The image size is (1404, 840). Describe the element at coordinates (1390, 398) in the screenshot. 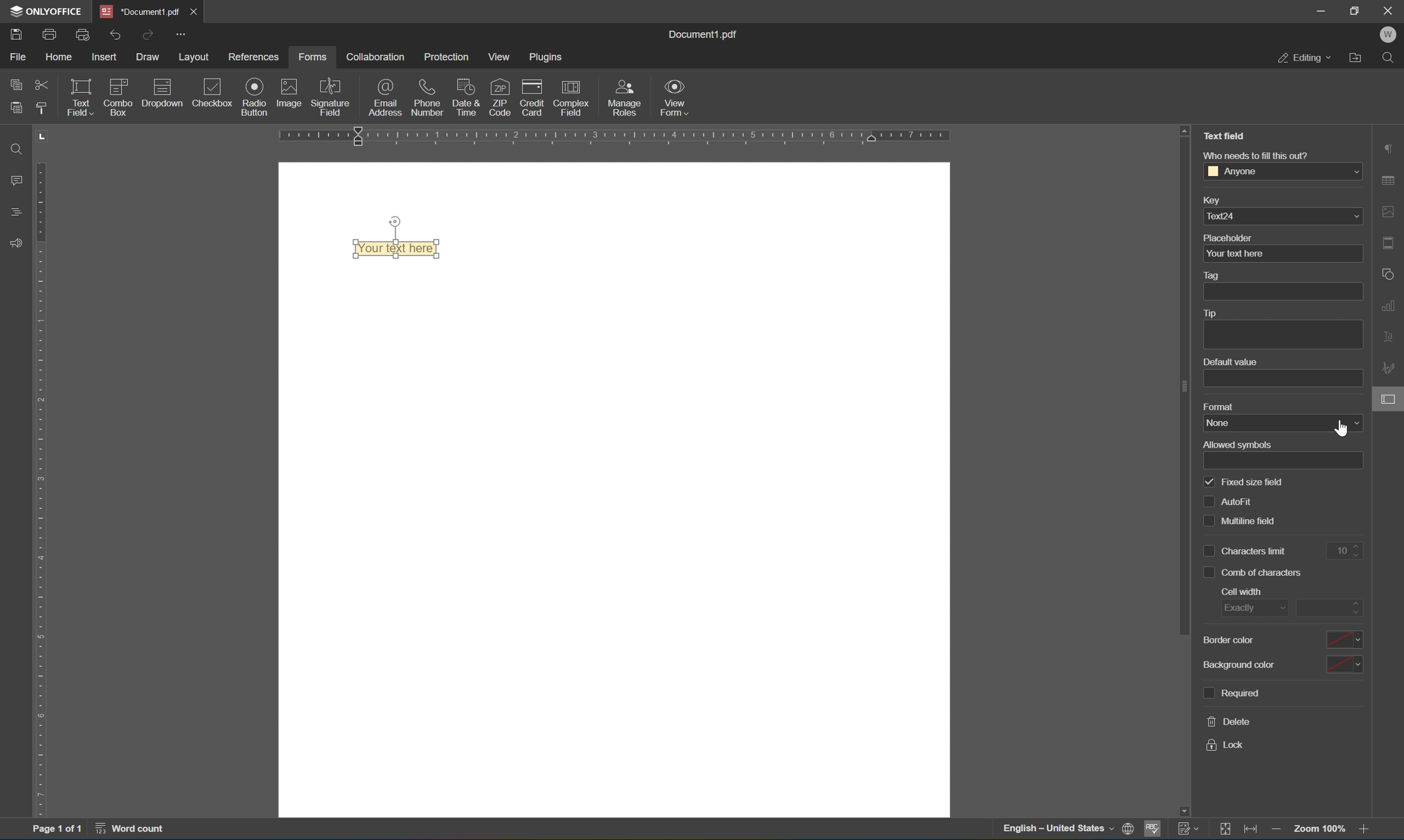

I see `form settings` at that location.